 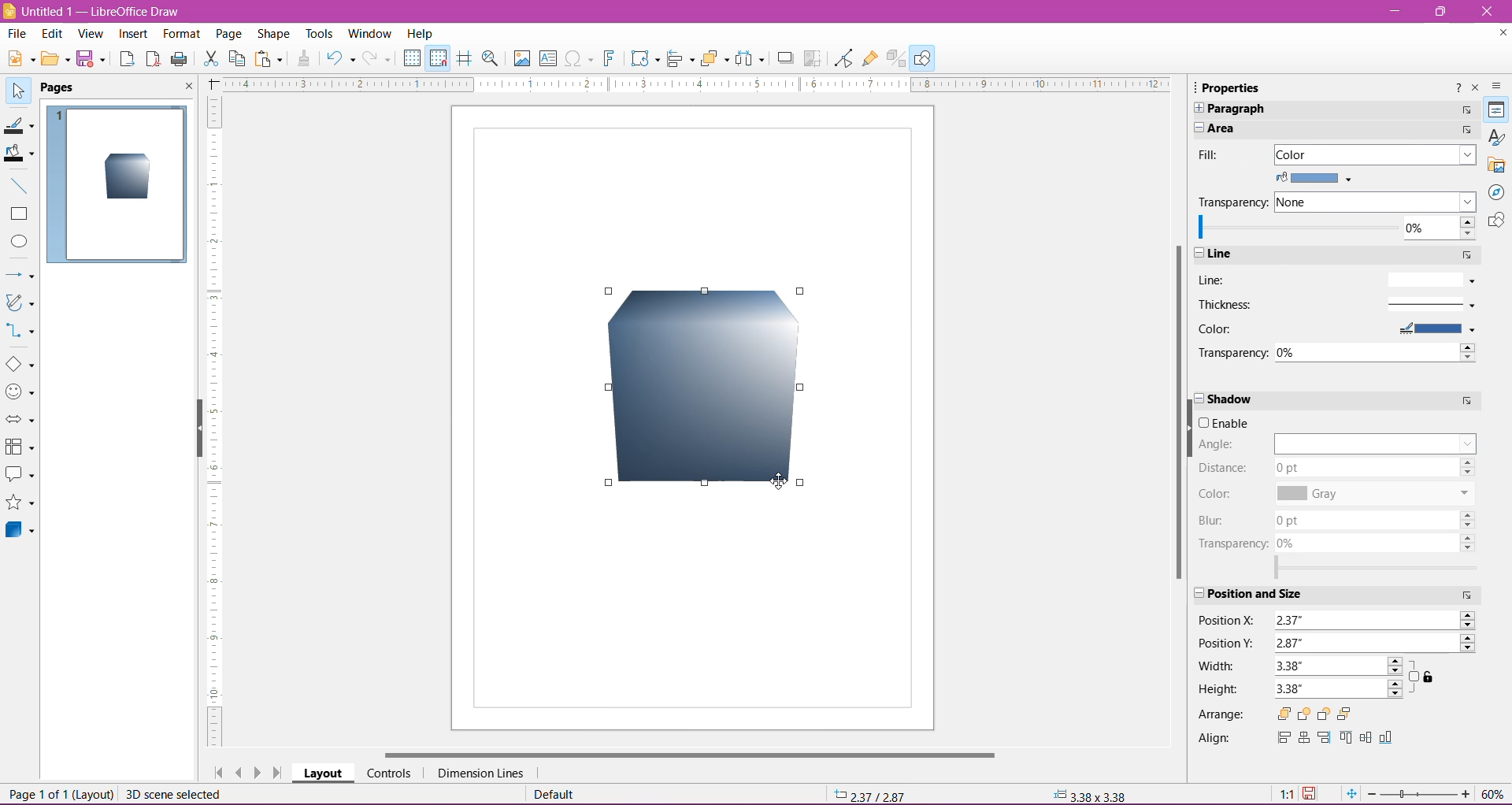 I want to click on Fill Color, so click(x=1319, y=178).